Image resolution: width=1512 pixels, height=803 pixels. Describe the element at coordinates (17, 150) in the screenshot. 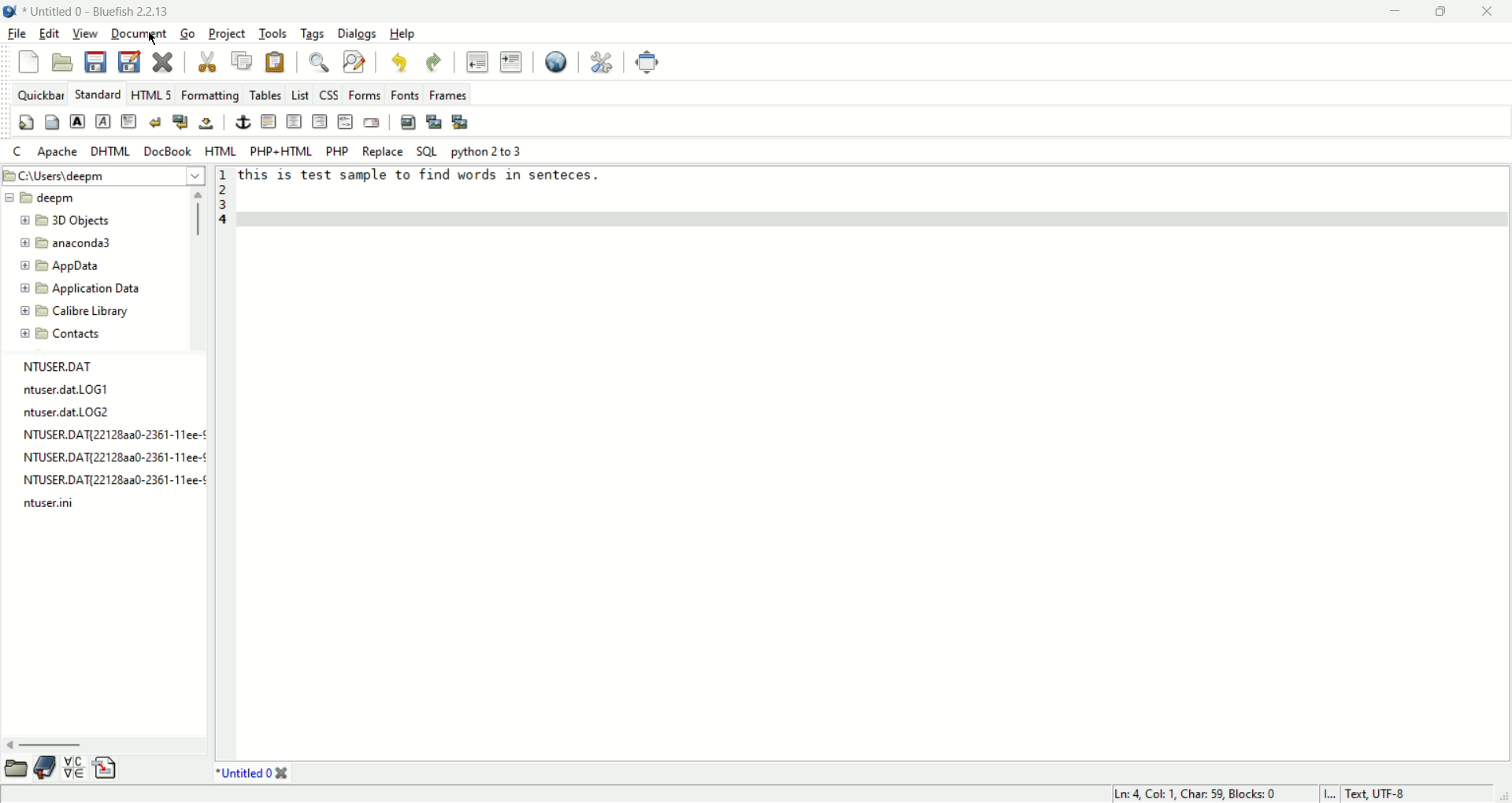

I see `c` at that location.